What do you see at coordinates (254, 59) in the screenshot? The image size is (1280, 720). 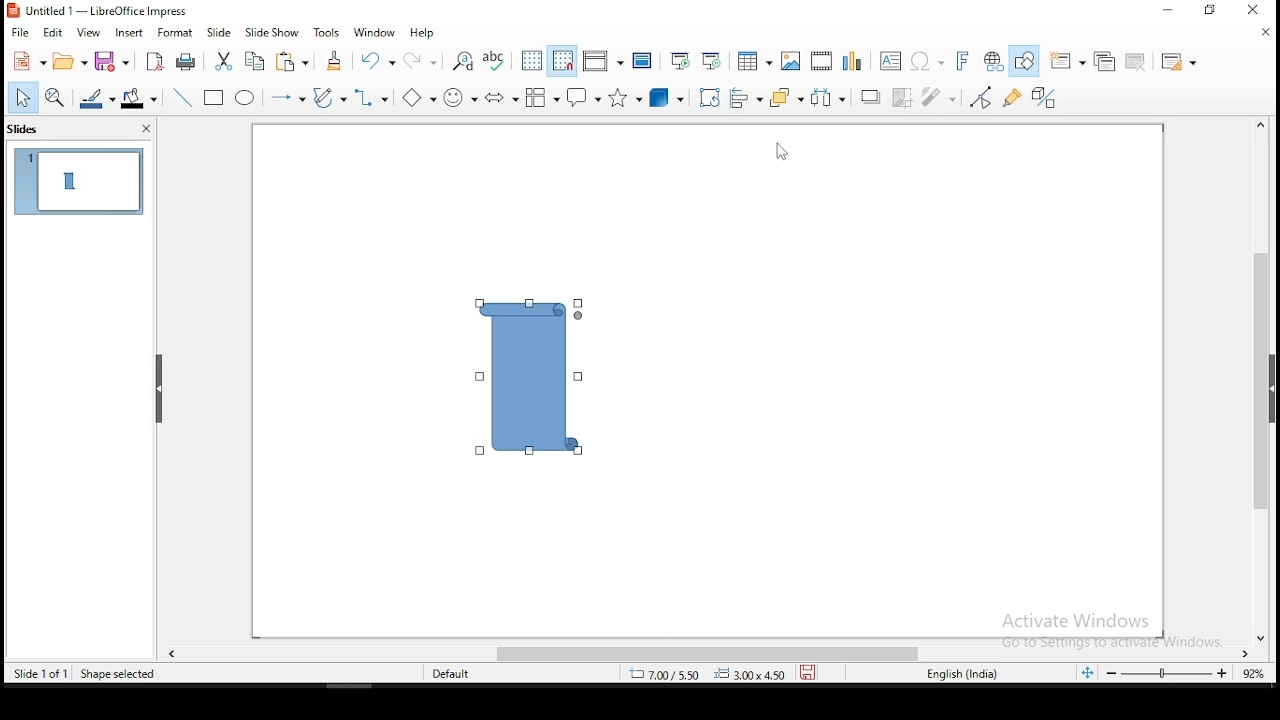 I see `copy` at bounding box center [254, 59].